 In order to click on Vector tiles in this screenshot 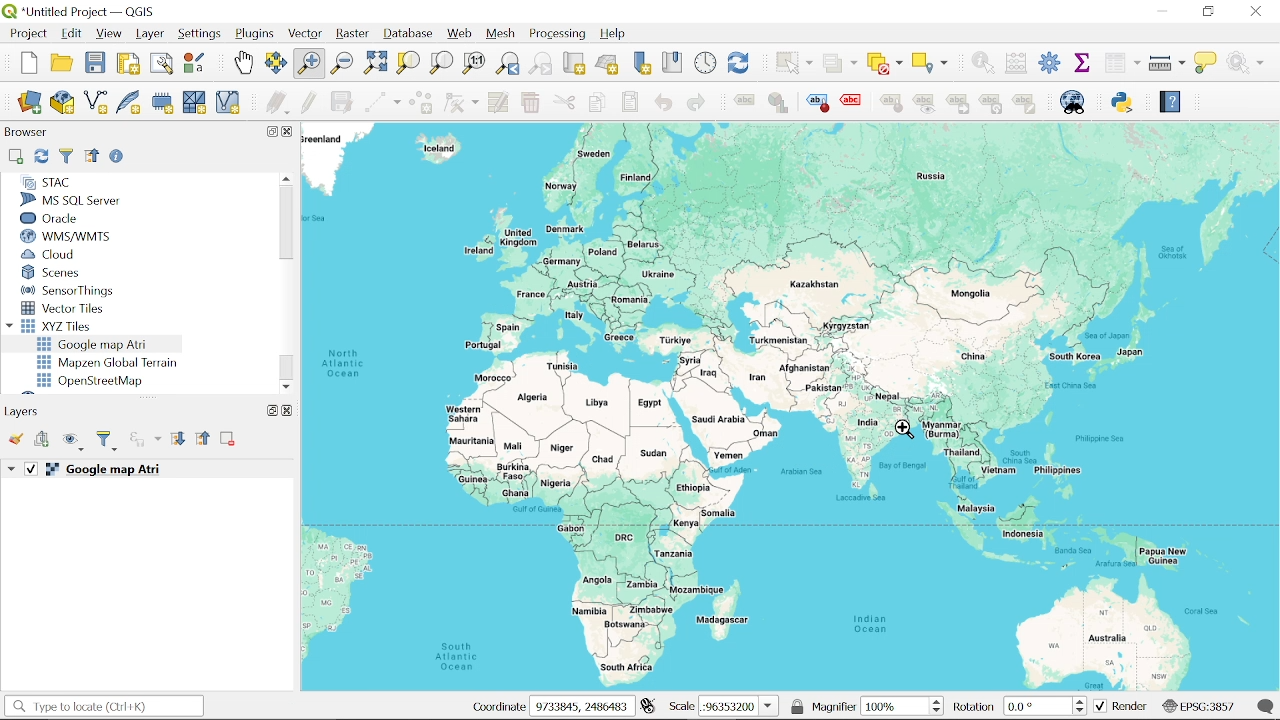, I will do `click(64, 308)`.